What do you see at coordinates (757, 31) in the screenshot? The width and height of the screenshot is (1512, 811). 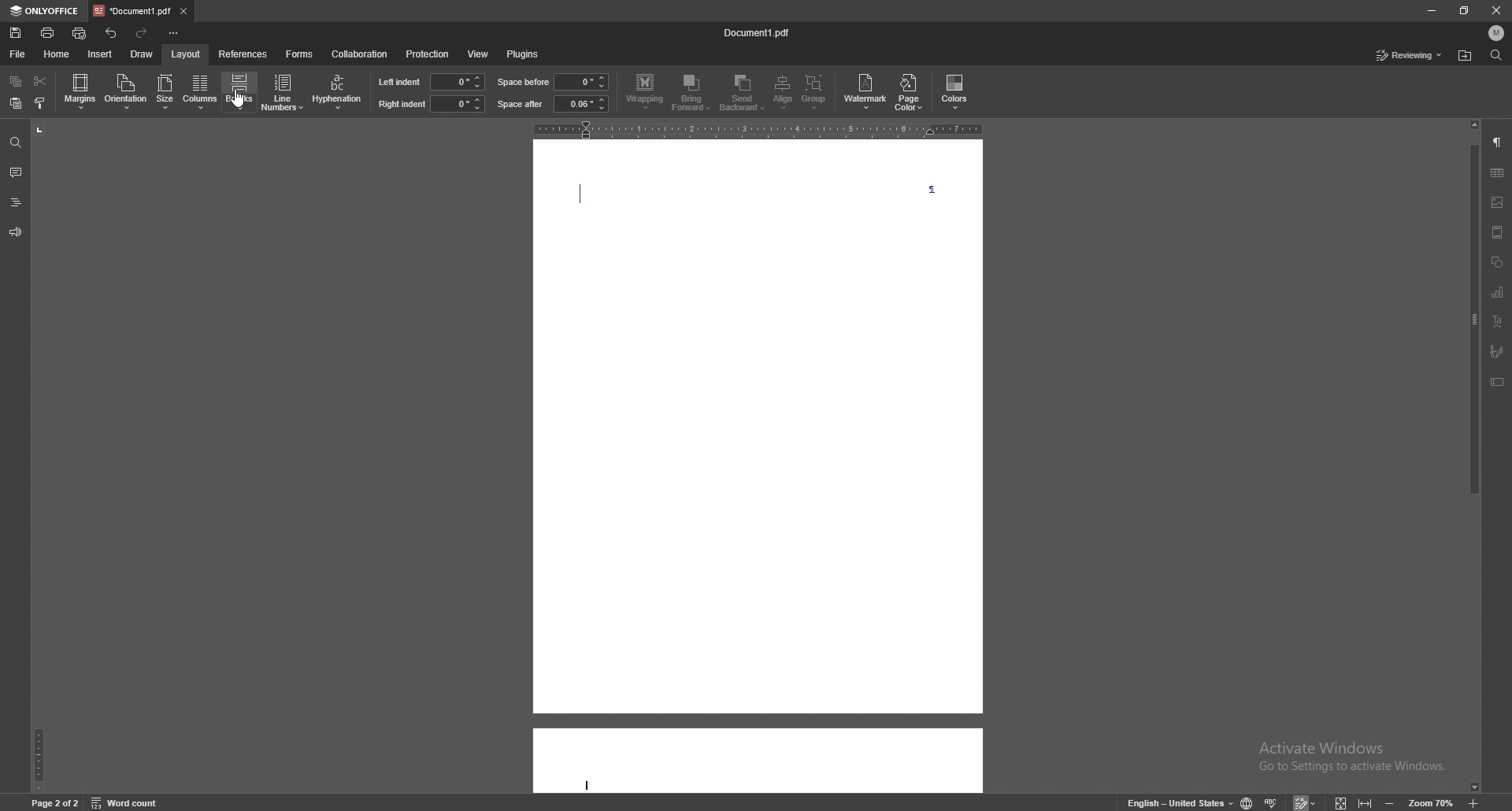 I see `file name` at bounding box center [757, 31].